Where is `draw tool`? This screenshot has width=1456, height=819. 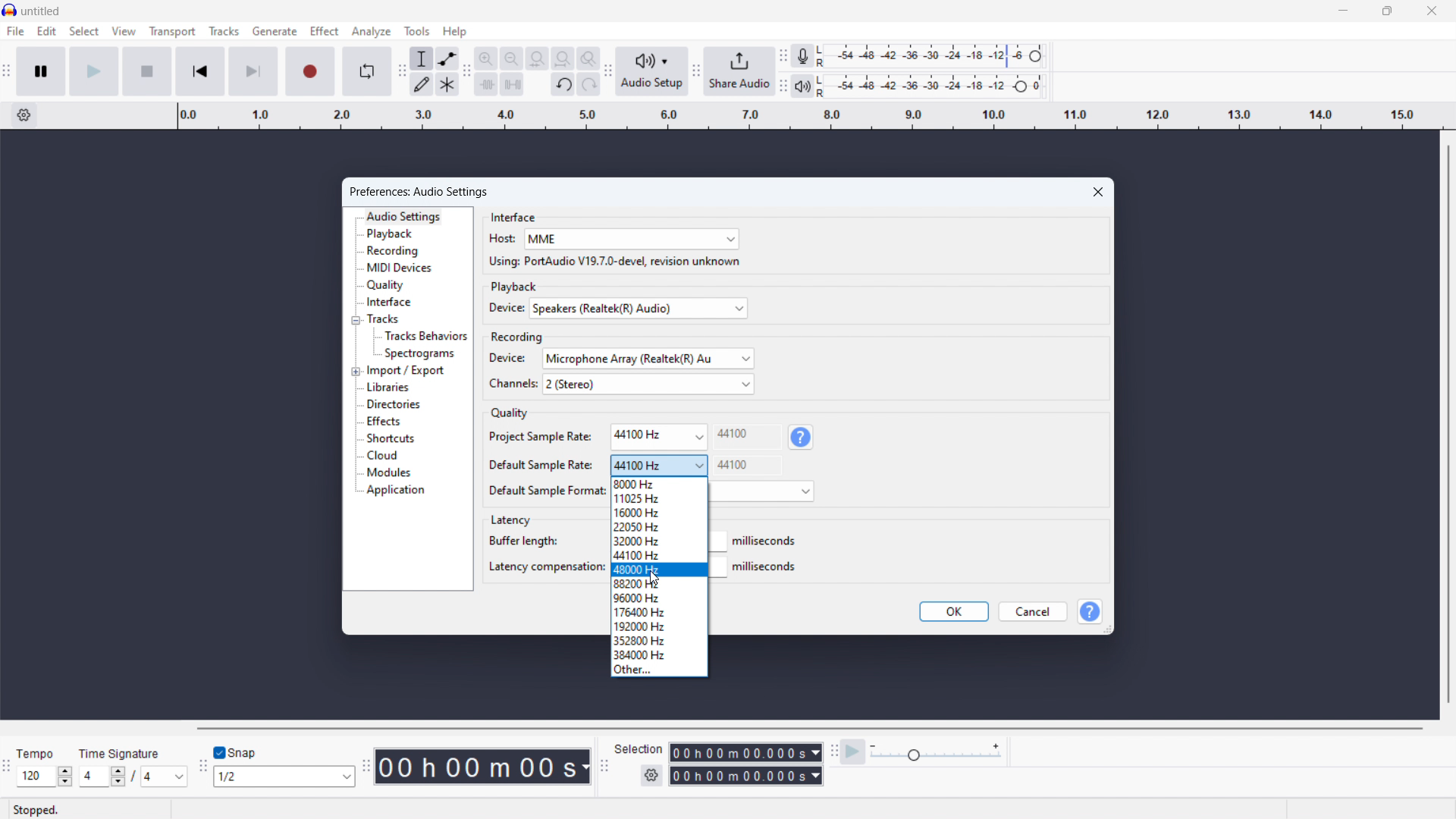 draw tool is located at coordinates (422, 84).